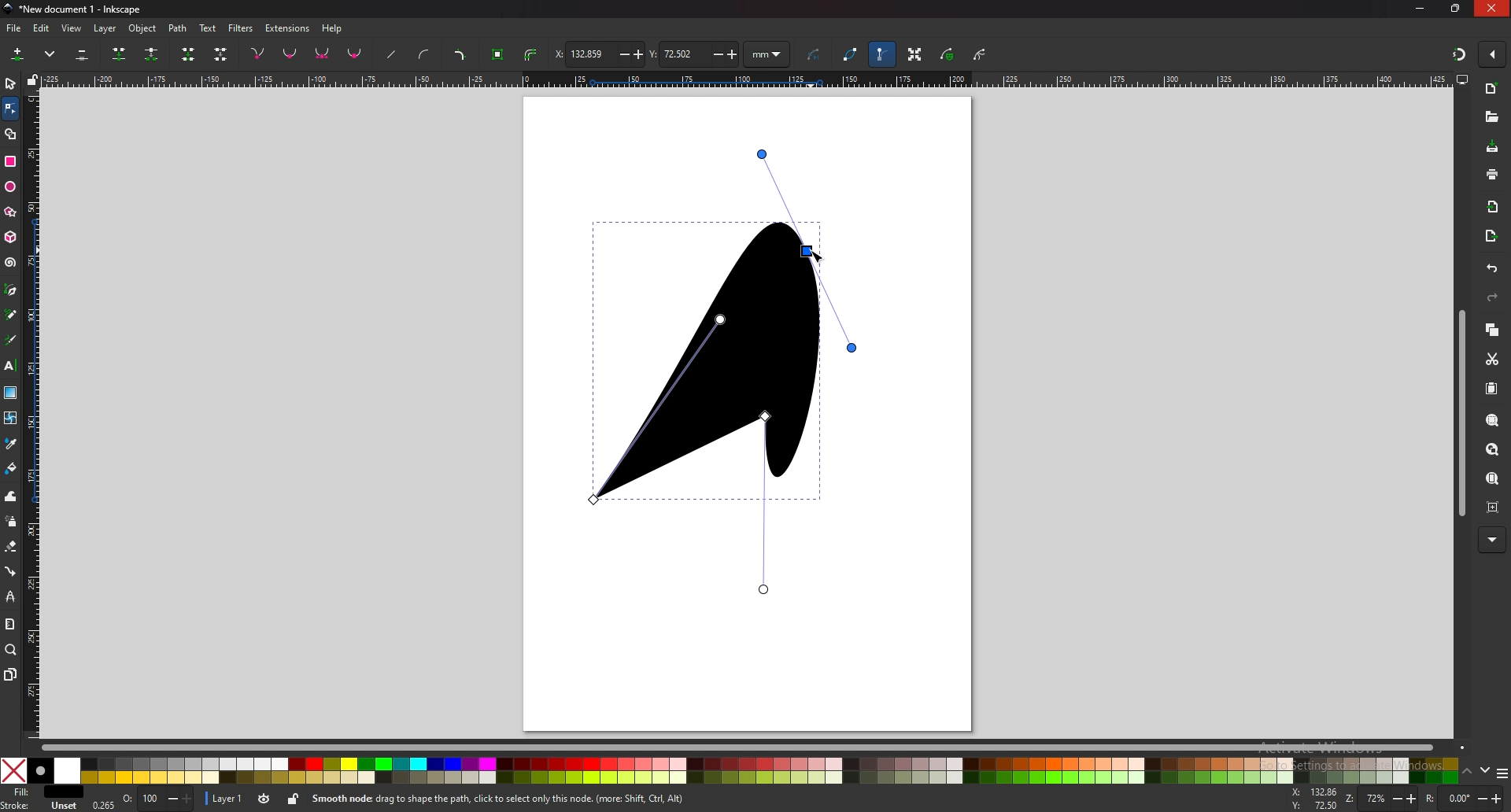 The height and width of the screenshot is (812, 1511). I want to click on delete selected nodes, so click(83, 54).